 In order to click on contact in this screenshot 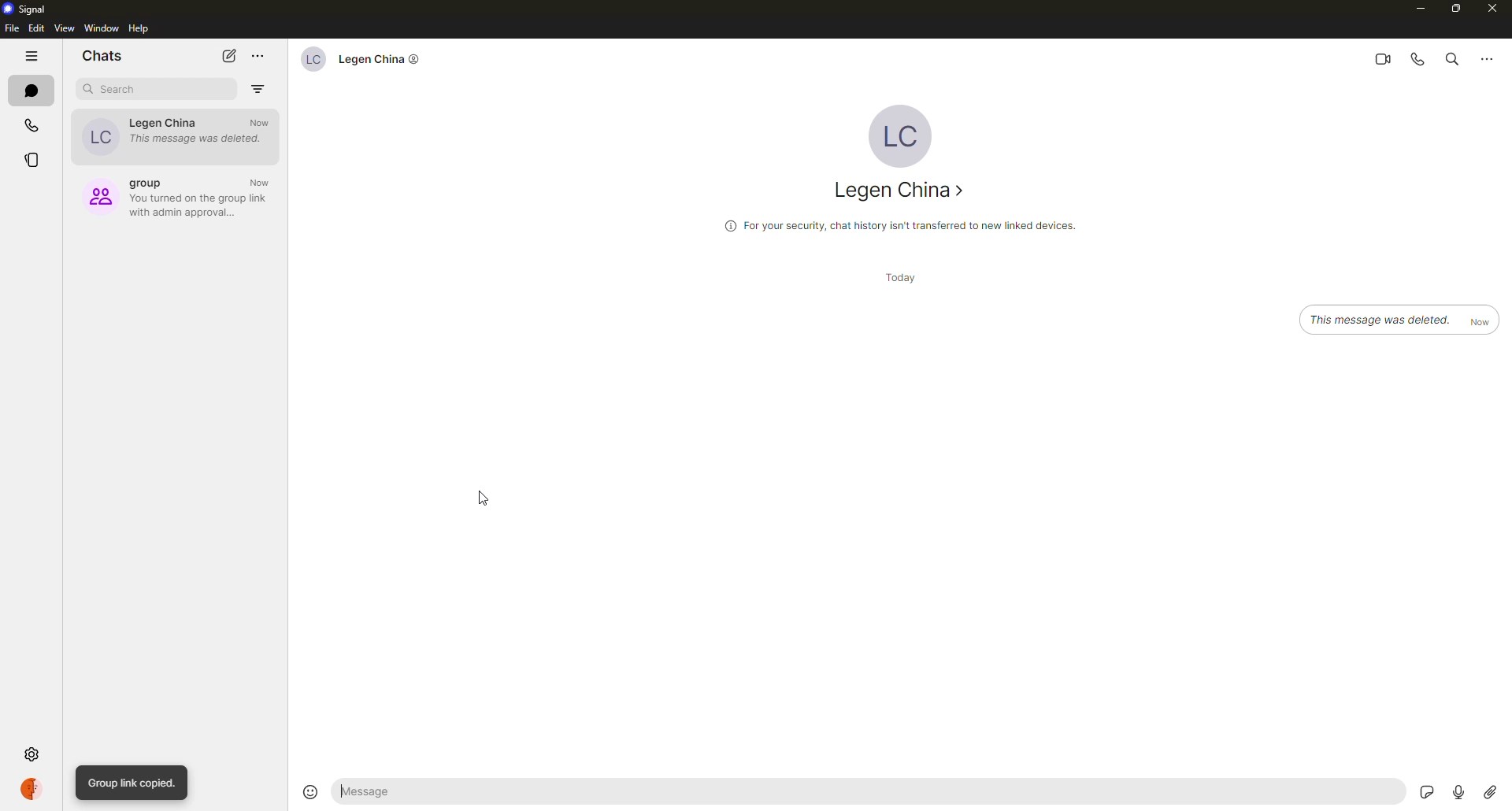, I will do `click(903, 192)`.